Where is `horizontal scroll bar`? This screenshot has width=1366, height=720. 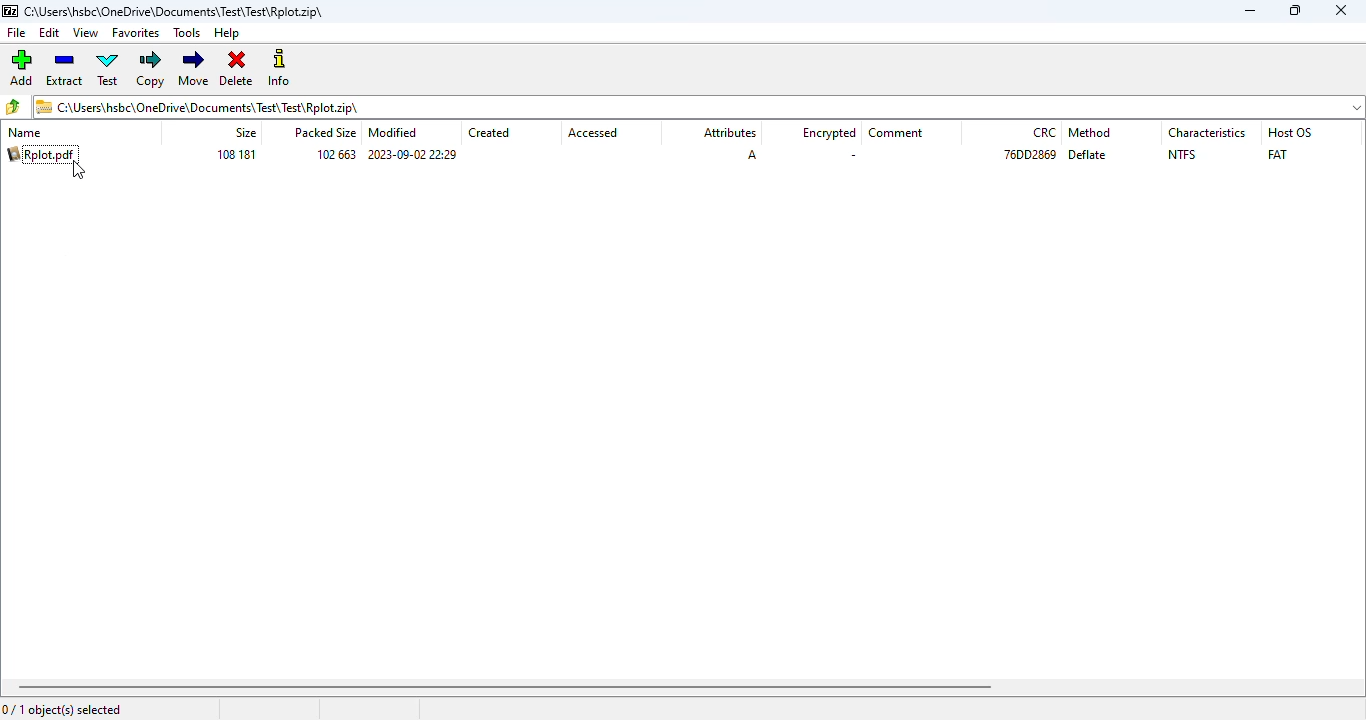
horizontal scroll bar is located at coordinates (505, 687).